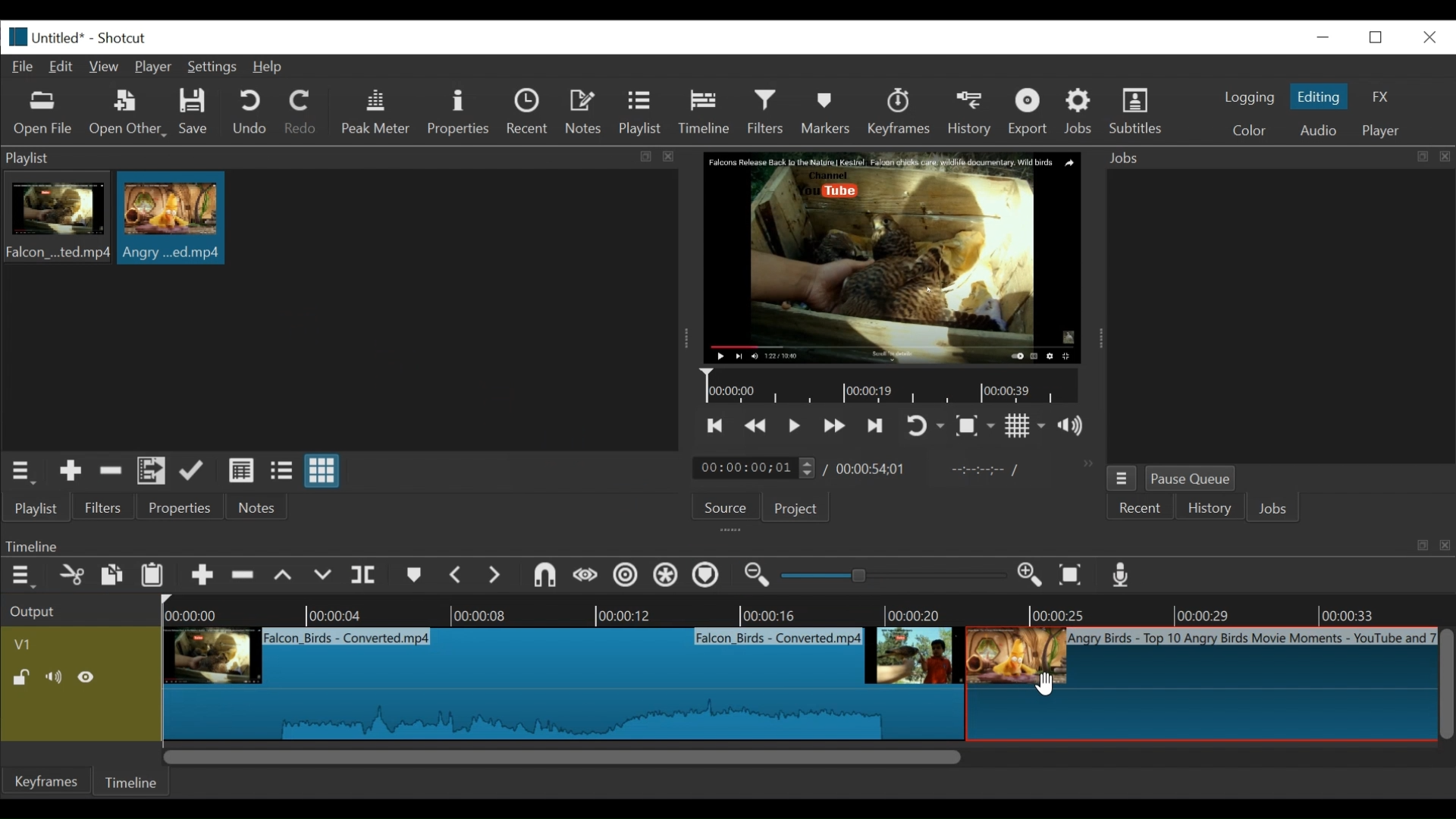 The height and width of the screenshot is (819, 1456). What do you see at coordinates (1032, 576) in the screenshot?
I see `Zoom in` at bounding box center [1032, 576].